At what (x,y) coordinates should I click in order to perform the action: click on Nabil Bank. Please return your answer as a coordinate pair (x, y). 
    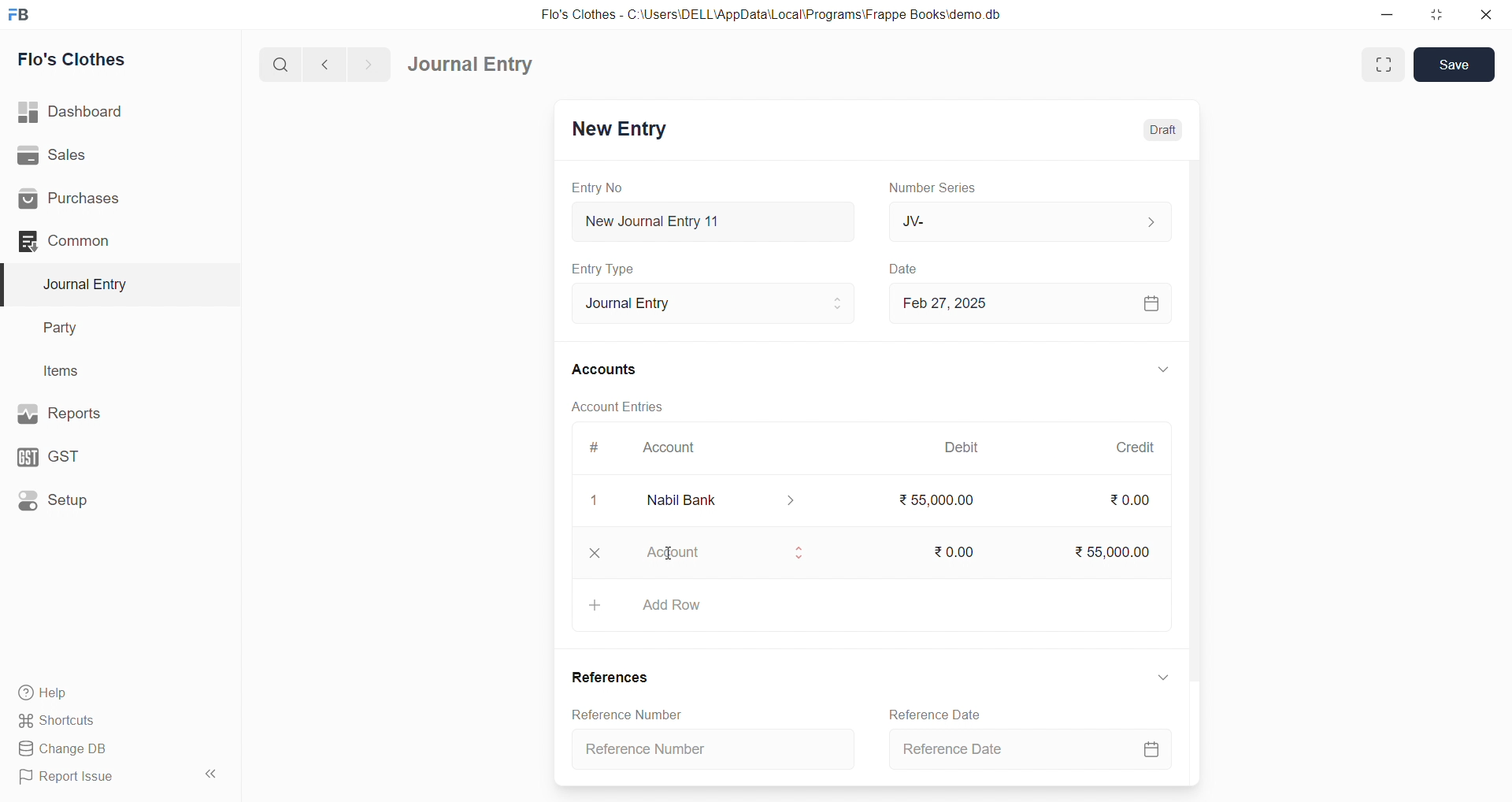
    Looking at the image, I should click on (721, 503).